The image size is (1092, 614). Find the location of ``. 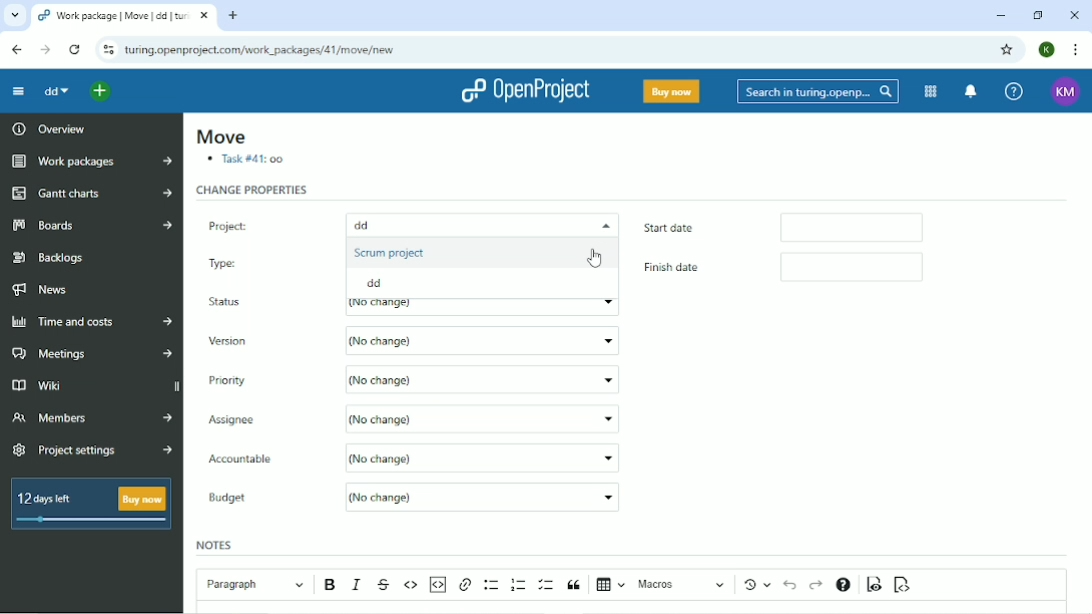

 is located at coordinates (478, 224).